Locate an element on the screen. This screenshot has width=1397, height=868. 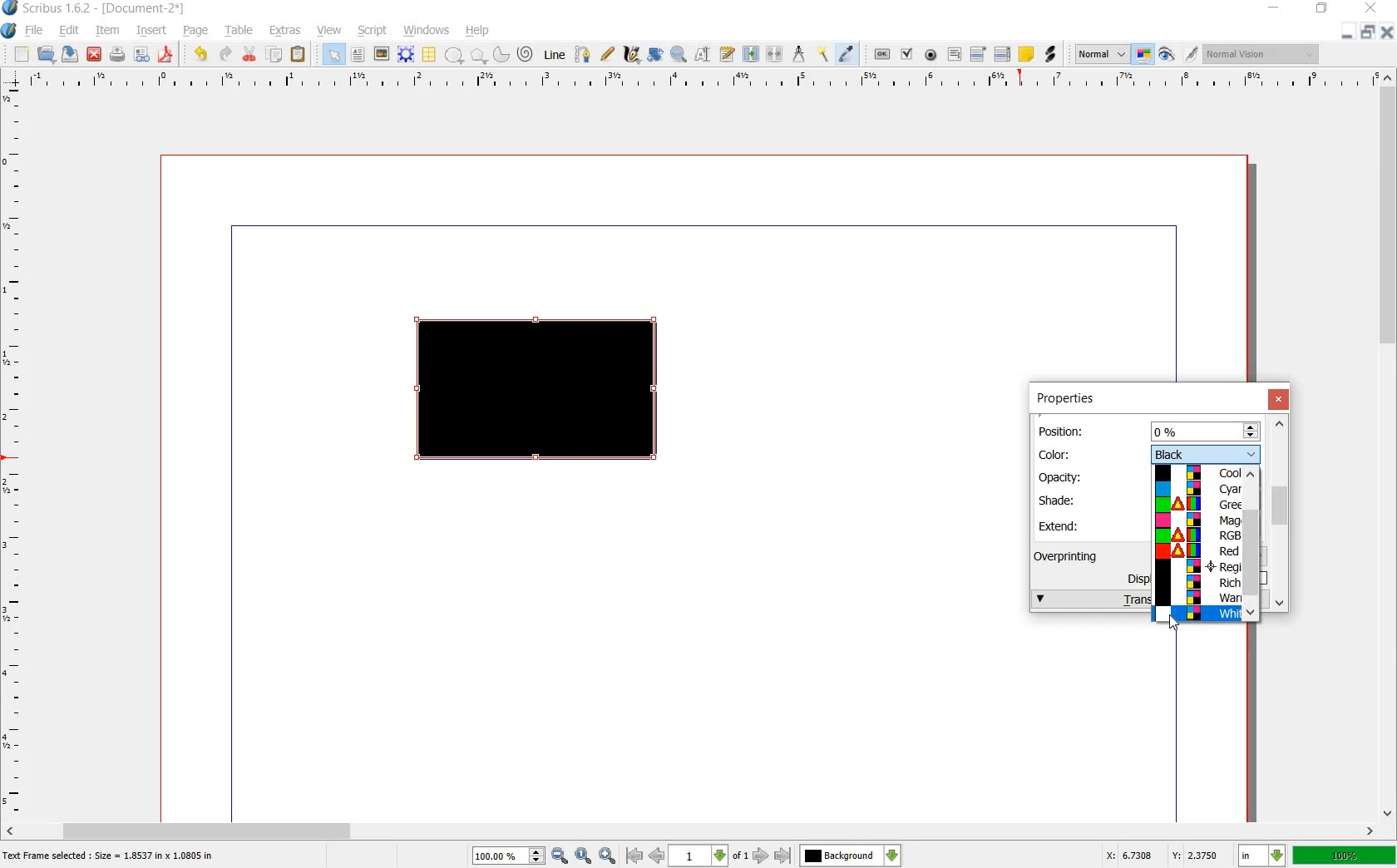
preflight verifier is located at coordinates (141, 55).